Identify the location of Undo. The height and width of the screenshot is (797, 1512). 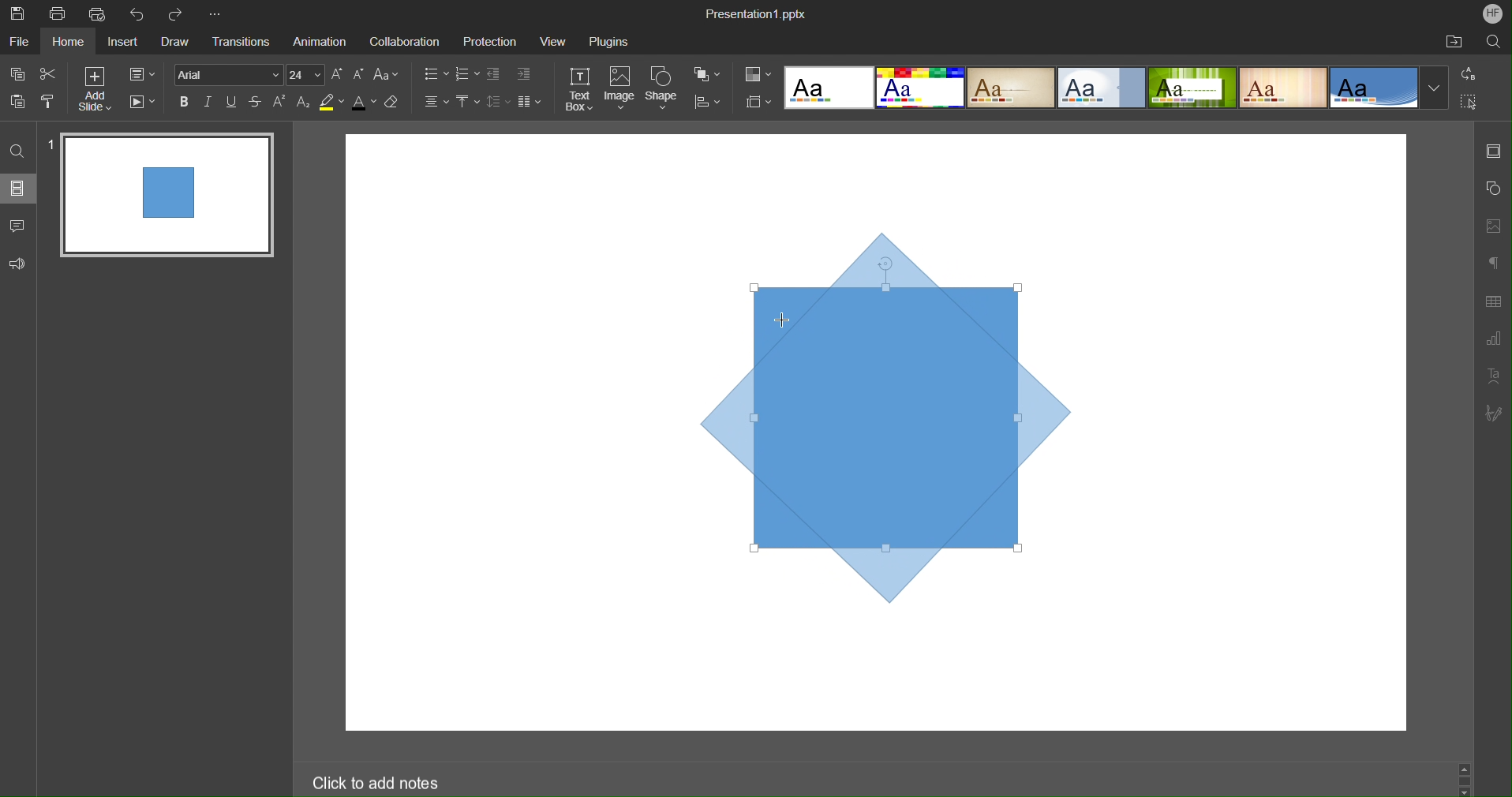
(137, 11).